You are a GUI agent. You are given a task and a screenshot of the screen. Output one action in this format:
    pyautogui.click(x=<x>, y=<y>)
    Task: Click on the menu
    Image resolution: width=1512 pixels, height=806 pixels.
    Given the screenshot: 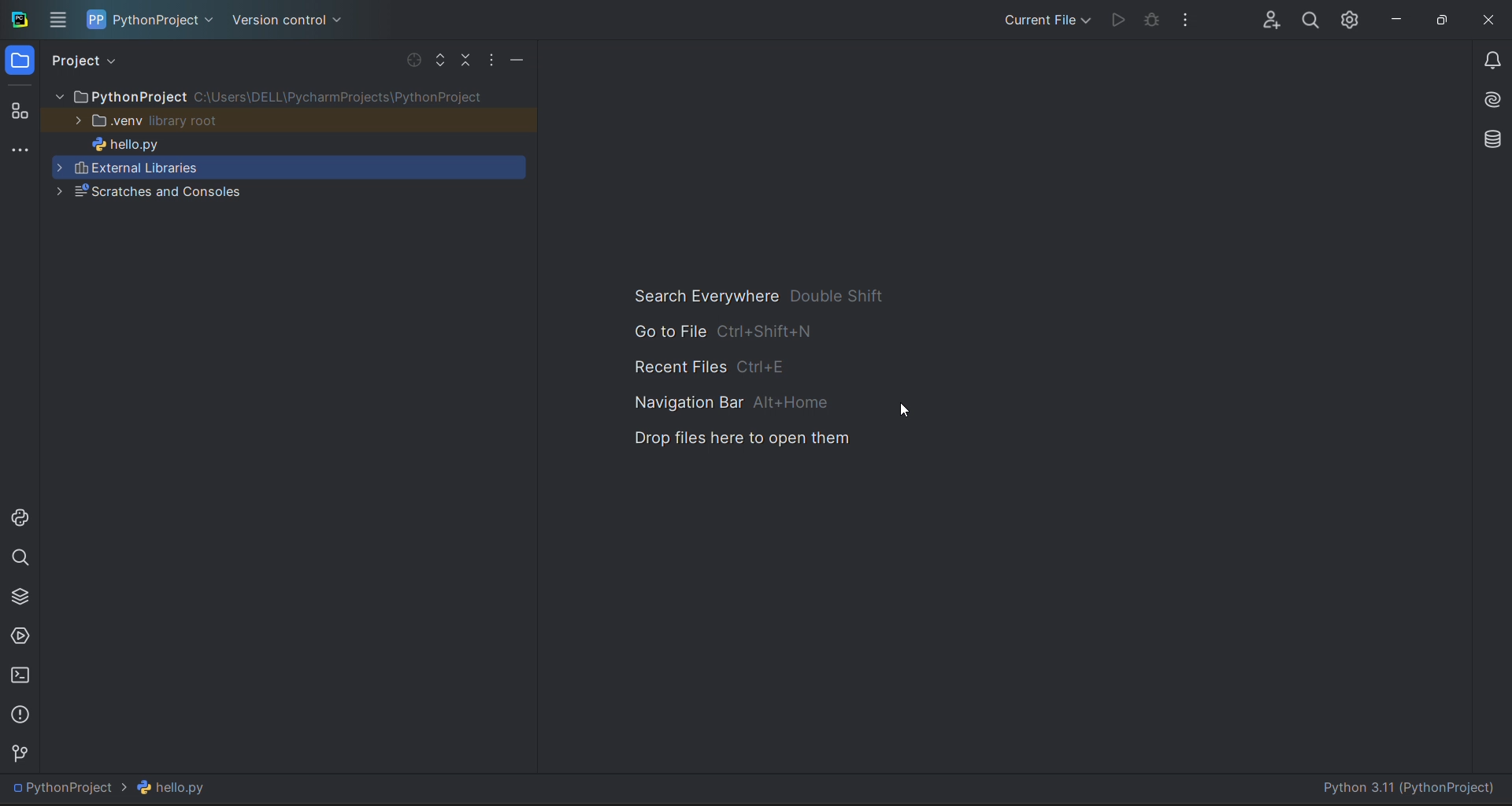 What is the action you would take?
    pyautogui.click(x=56, y=20)
    